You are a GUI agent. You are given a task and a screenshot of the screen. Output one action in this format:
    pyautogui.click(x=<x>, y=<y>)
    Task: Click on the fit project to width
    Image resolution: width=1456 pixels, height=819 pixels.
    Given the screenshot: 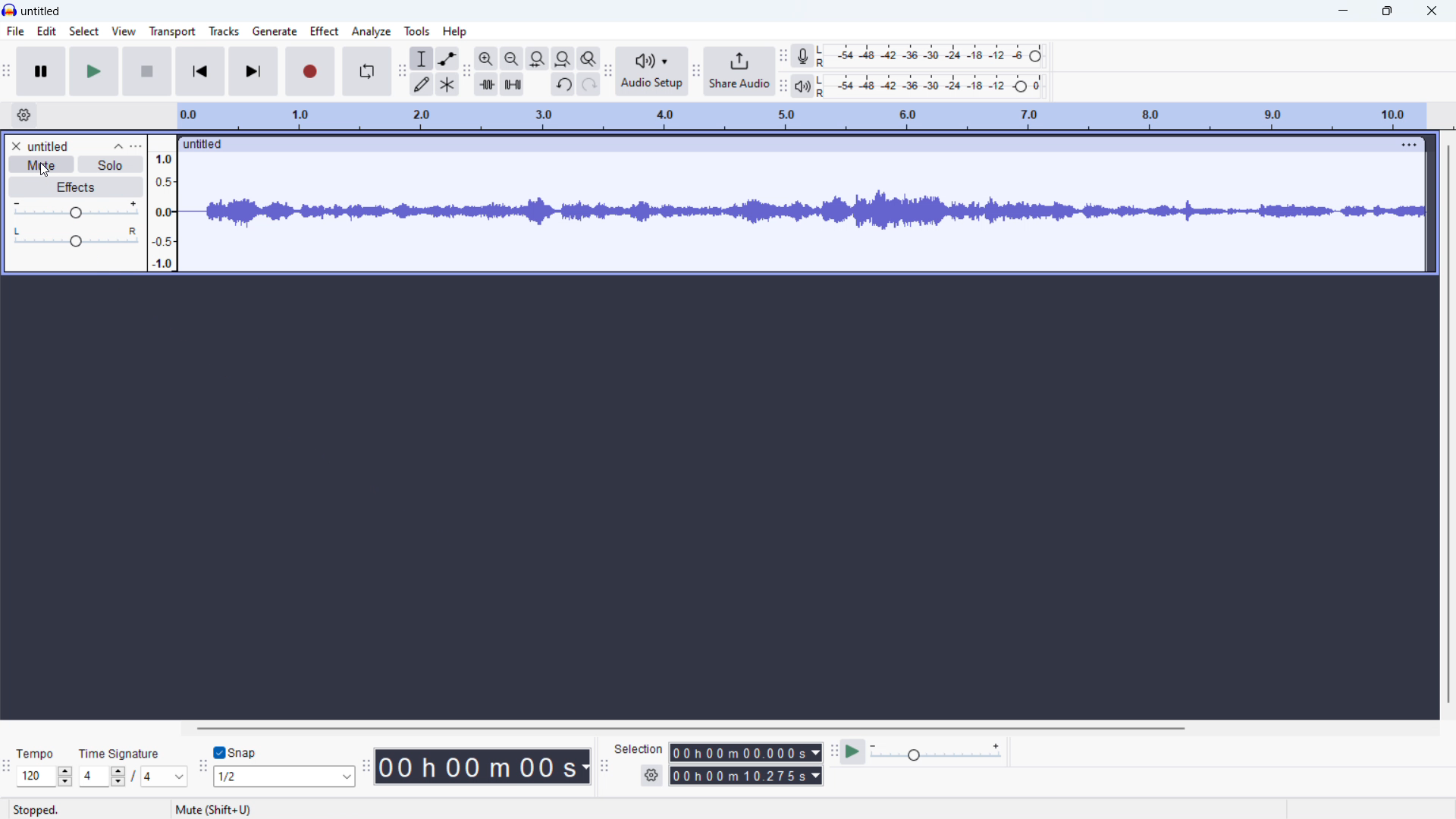 What is the action you would take?
    pyautogui.click(x=563, y=58)
    